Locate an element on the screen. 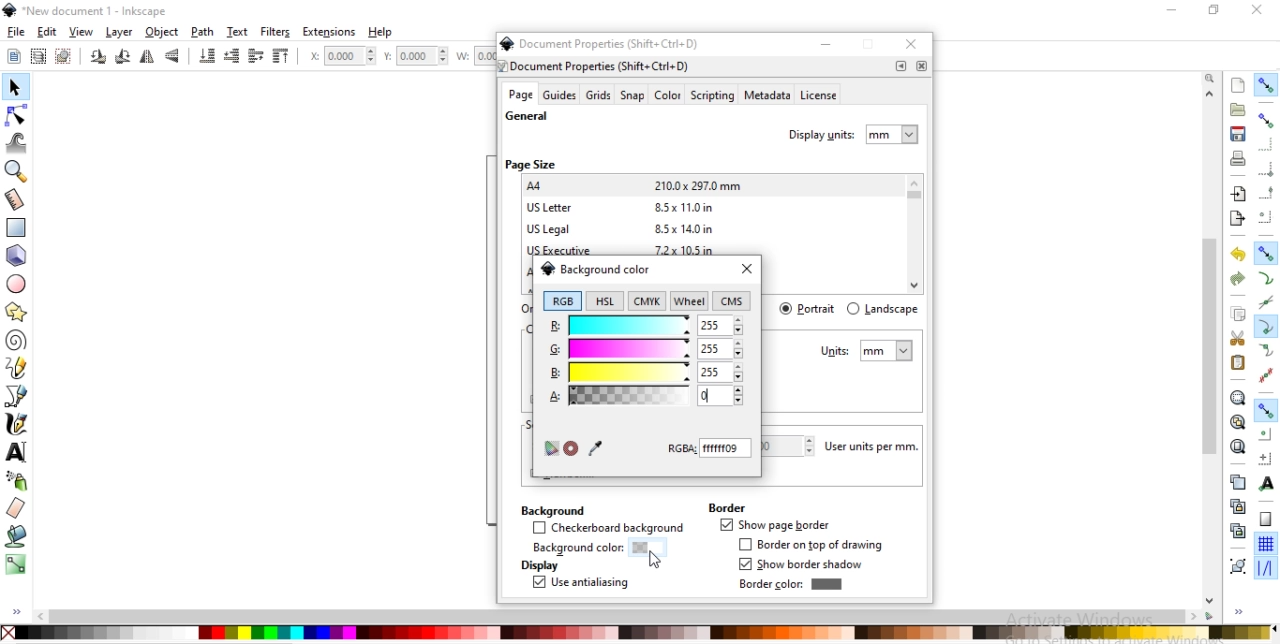  grids is located at coordinates (598, 95).